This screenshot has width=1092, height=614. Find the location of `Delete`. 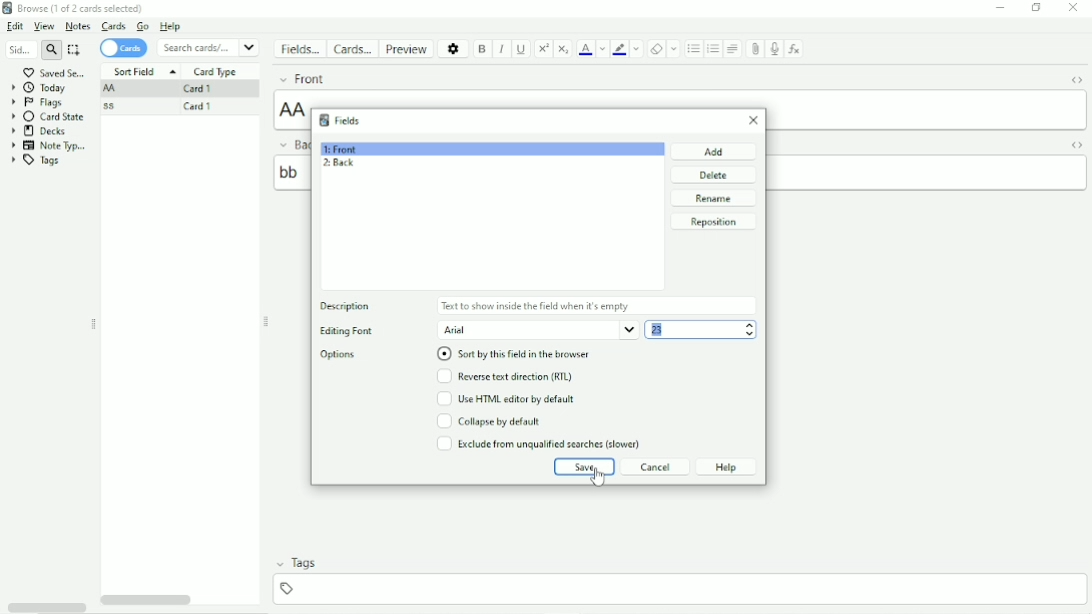

Delete is located at coordinates (713, 175).